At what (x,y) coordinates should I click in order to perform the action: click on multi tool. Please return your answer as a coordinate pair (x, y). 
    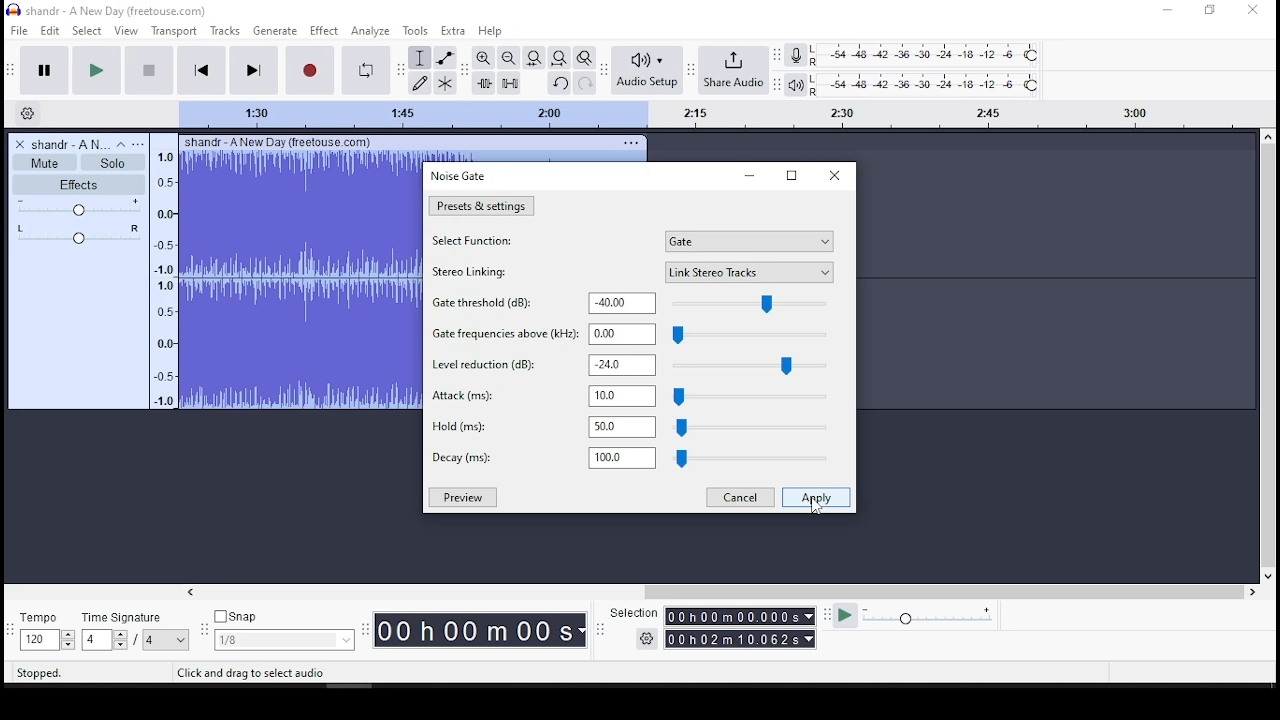
    Looking at the image, I should click on (446, 84).